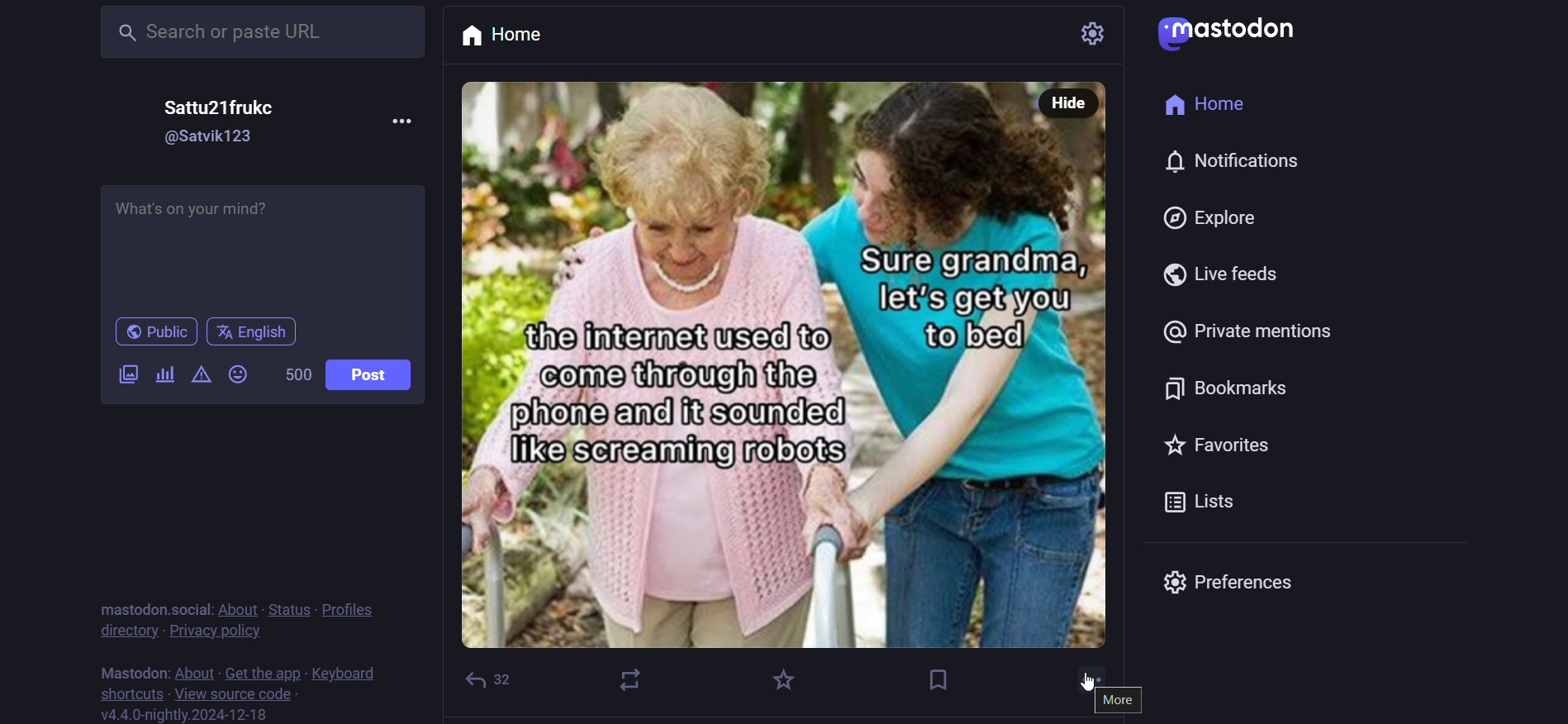 The height and width of the screenshot is (724, 1568). Describe the element at coordinates (164, 374) in the screenshot. I see `poll` at that location.